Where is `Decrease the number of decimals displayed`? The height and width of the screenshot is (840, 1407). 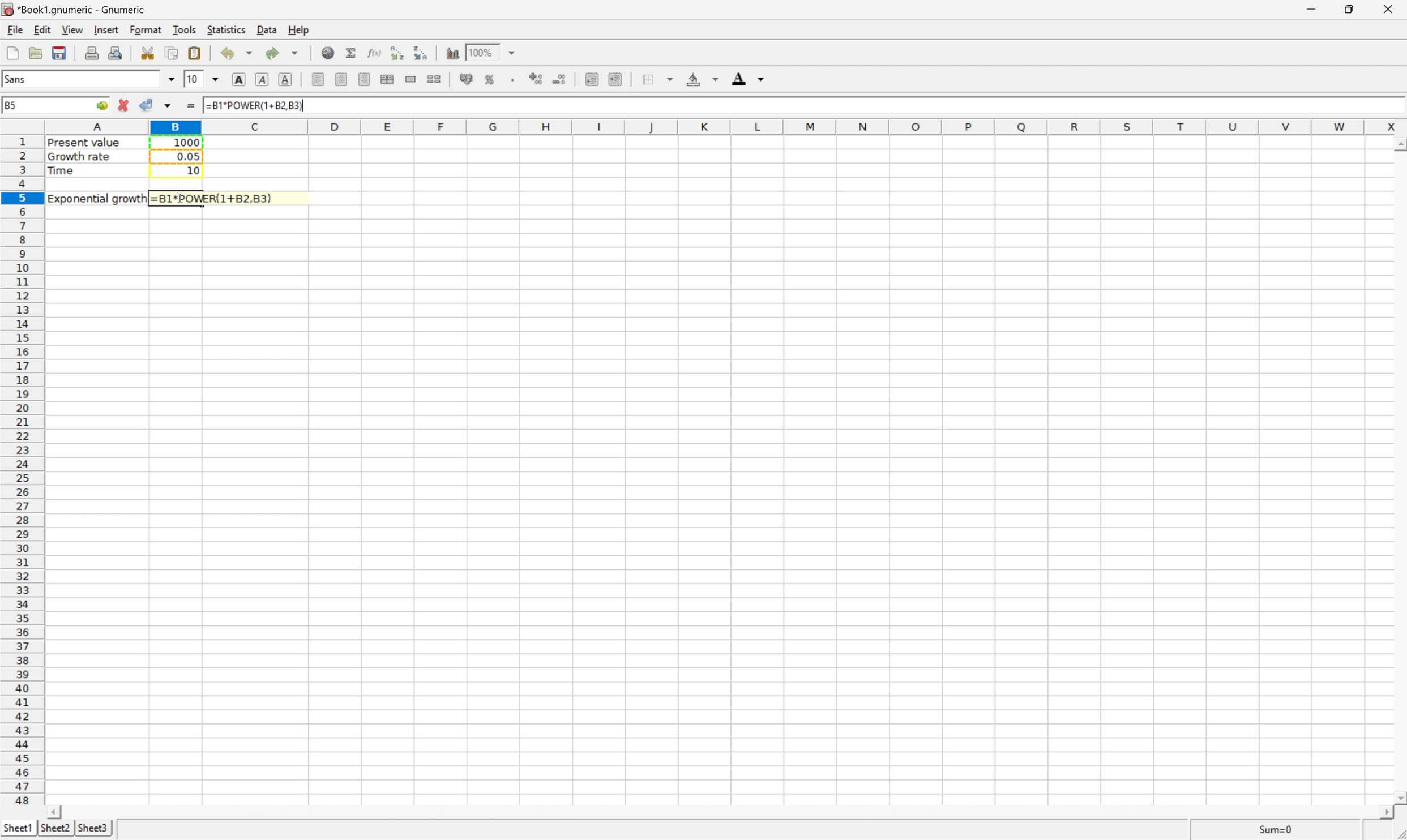 Decrease the number of decimals displayed is located at coordinates (559, 79).